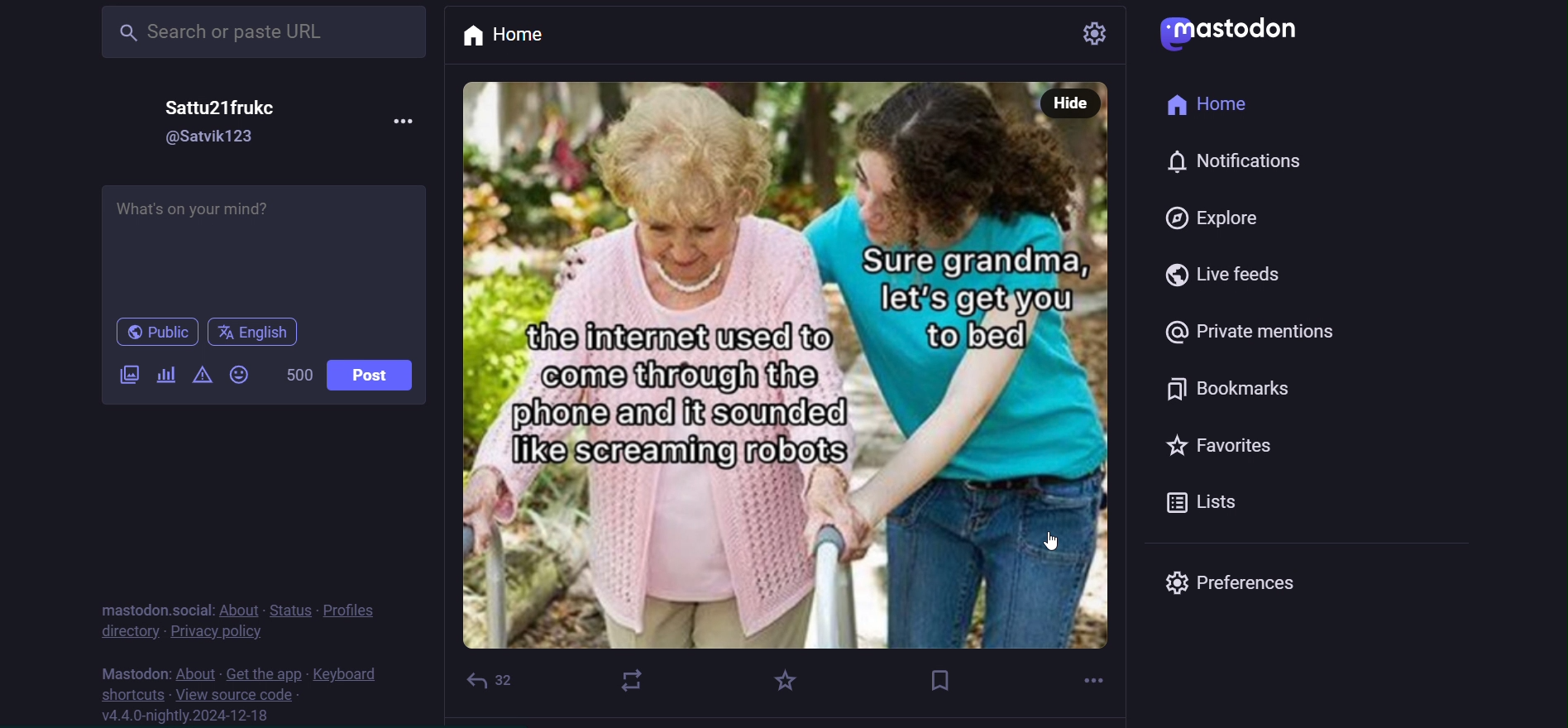 This screenshot has width=1568, height=728. What do you see at coordinates (129, 374) in the screenshot?
I see `image/video` at bounding box center [129, 374].